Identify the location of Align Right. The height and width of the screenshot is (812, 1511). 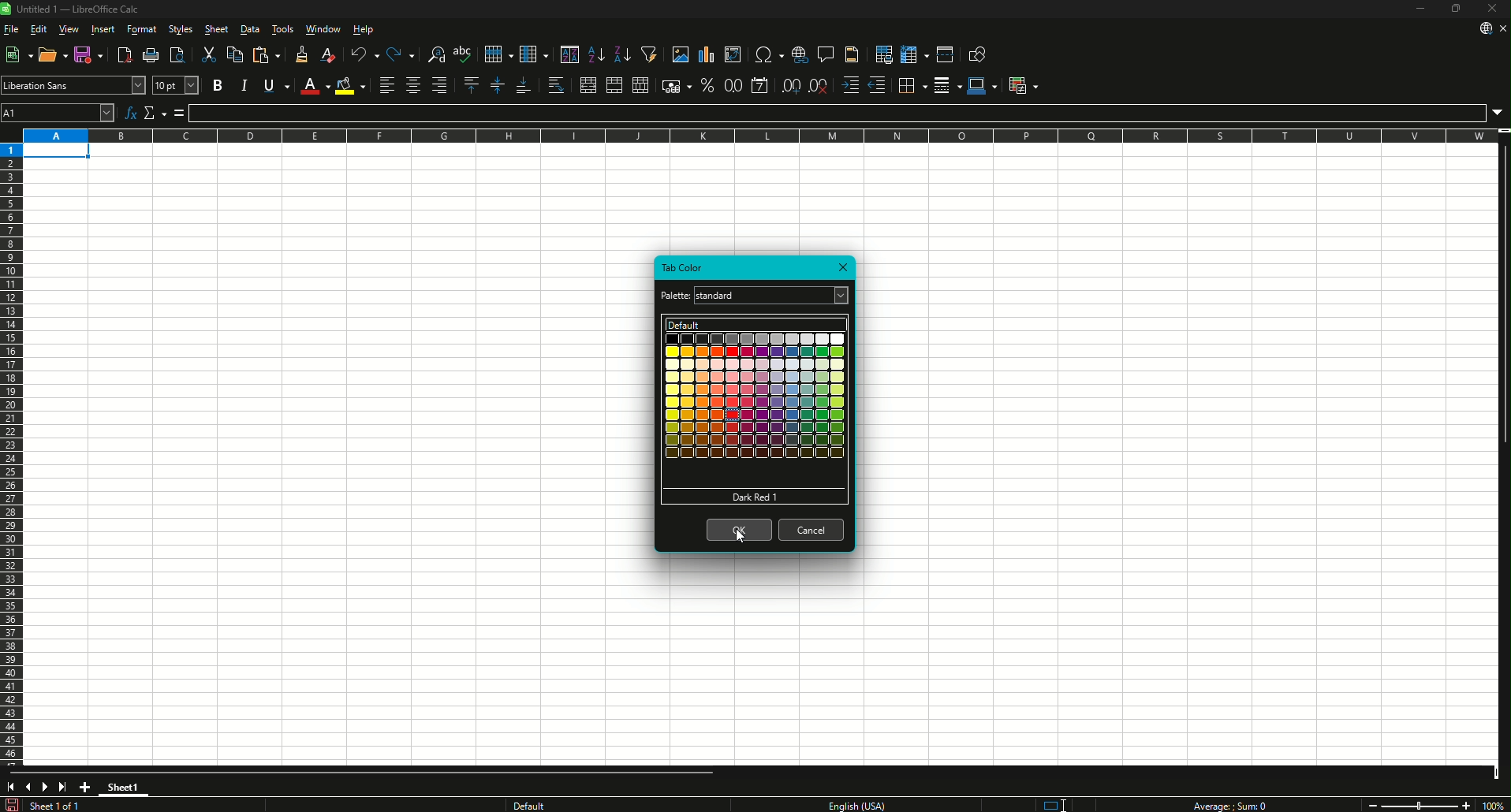
(439, 85).